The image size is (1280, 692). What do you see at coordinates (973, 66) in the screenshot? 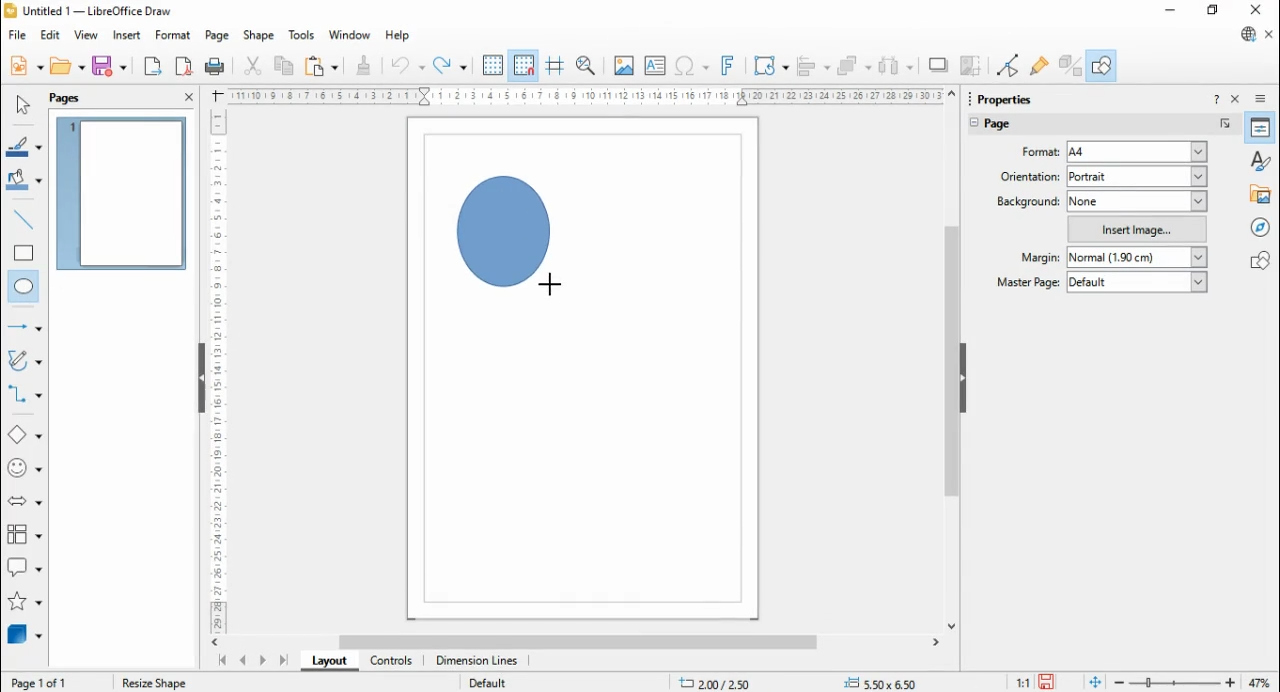
I see `crop image` at bounding box center [973, 66].